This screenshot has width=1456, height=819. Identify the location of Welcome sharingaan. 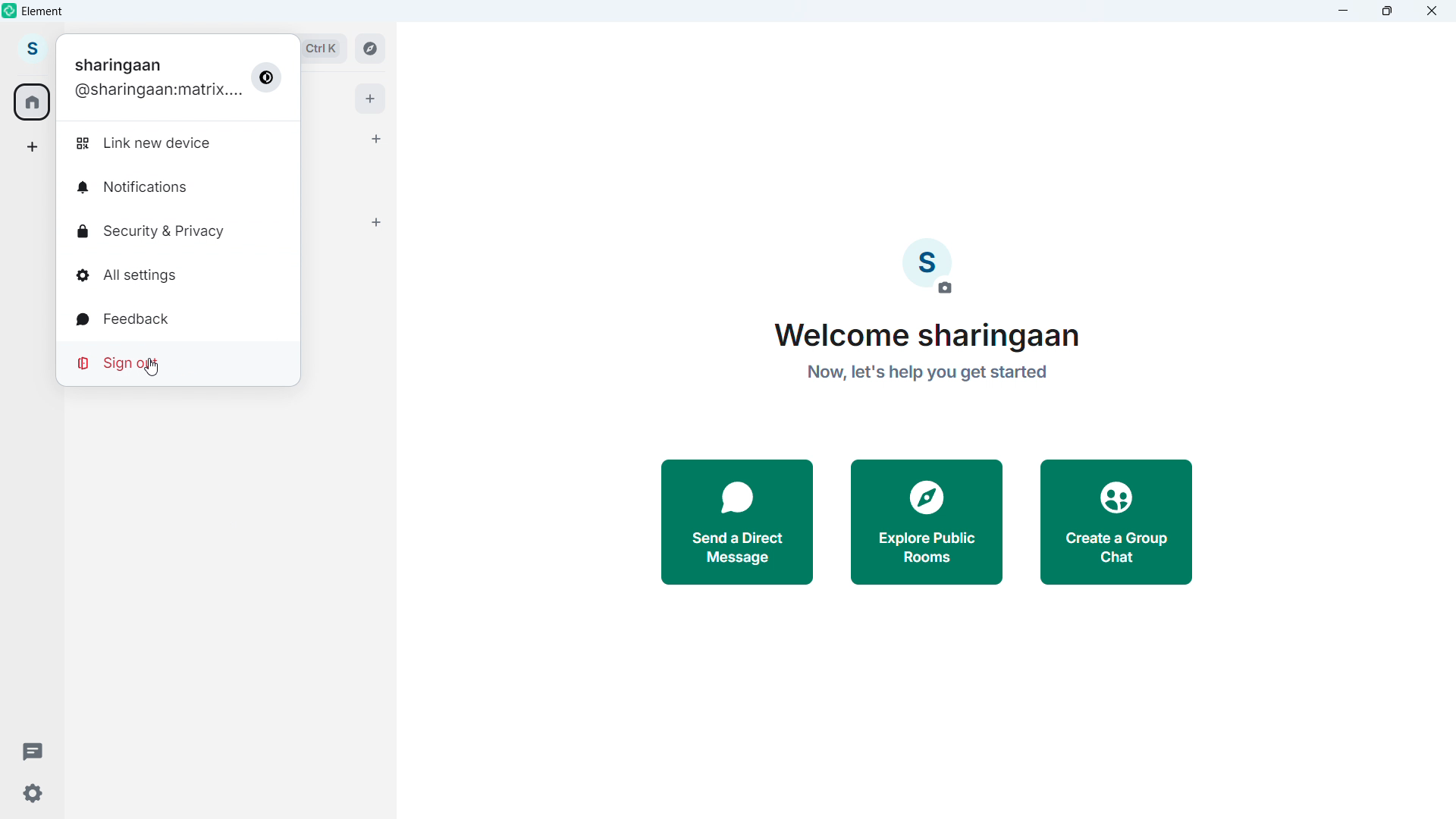
(933, 337).